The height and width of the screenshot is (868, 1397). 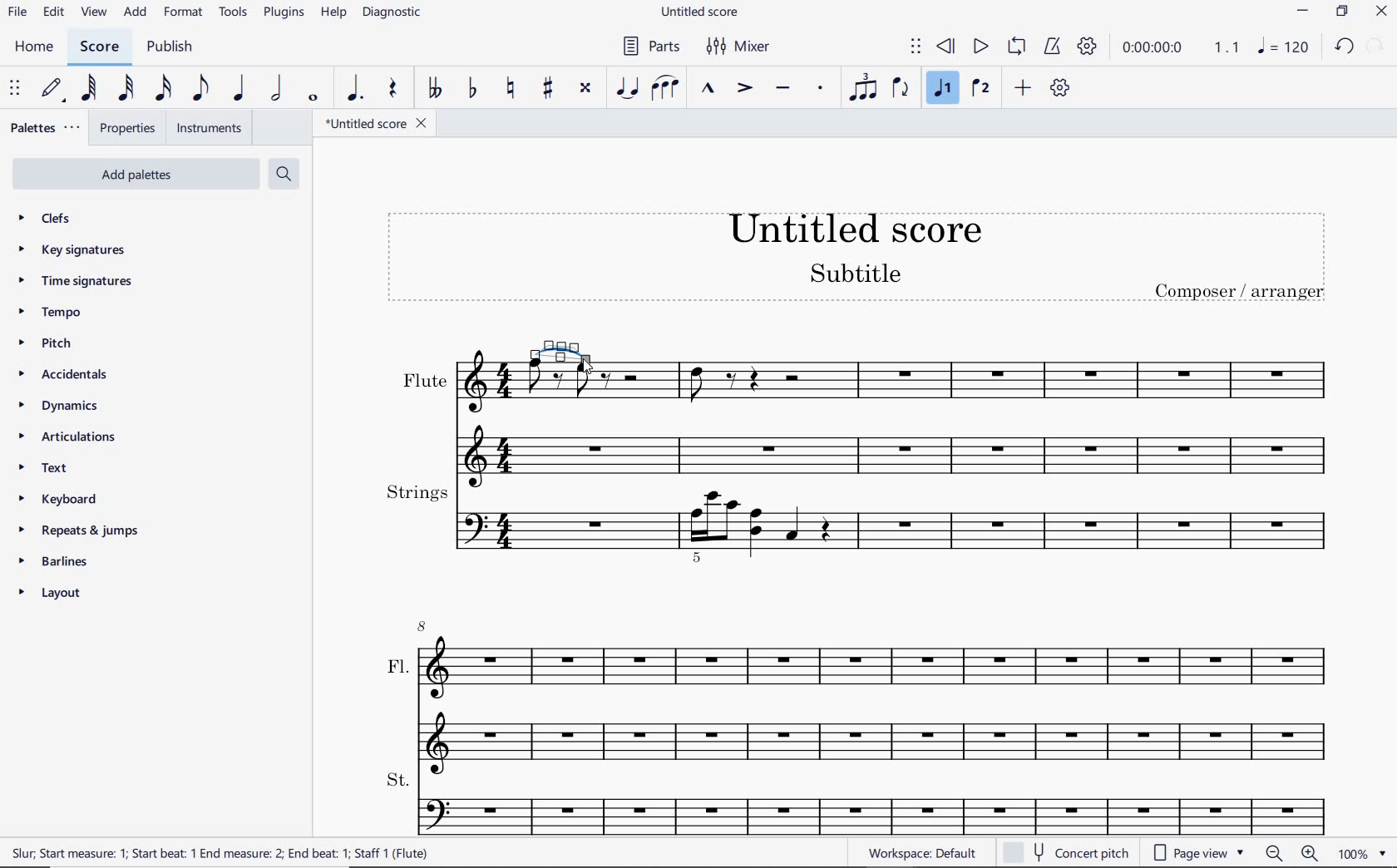 I want to click on TOGGLE FLAT, so click(x=471, y=91).